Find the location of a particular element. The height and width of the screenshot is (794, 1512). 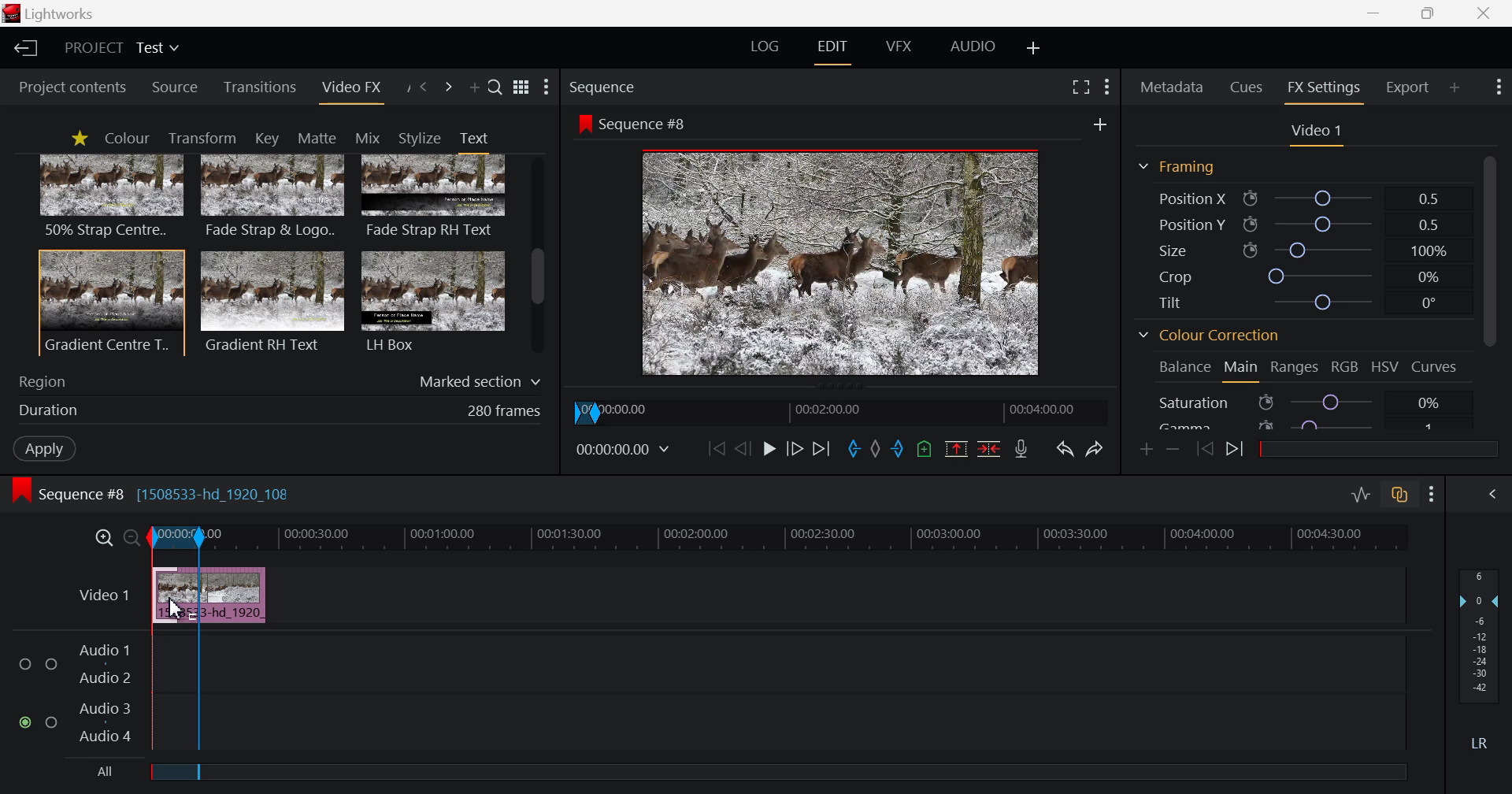

Previous keyframe is located at coordinates (1205, 449).